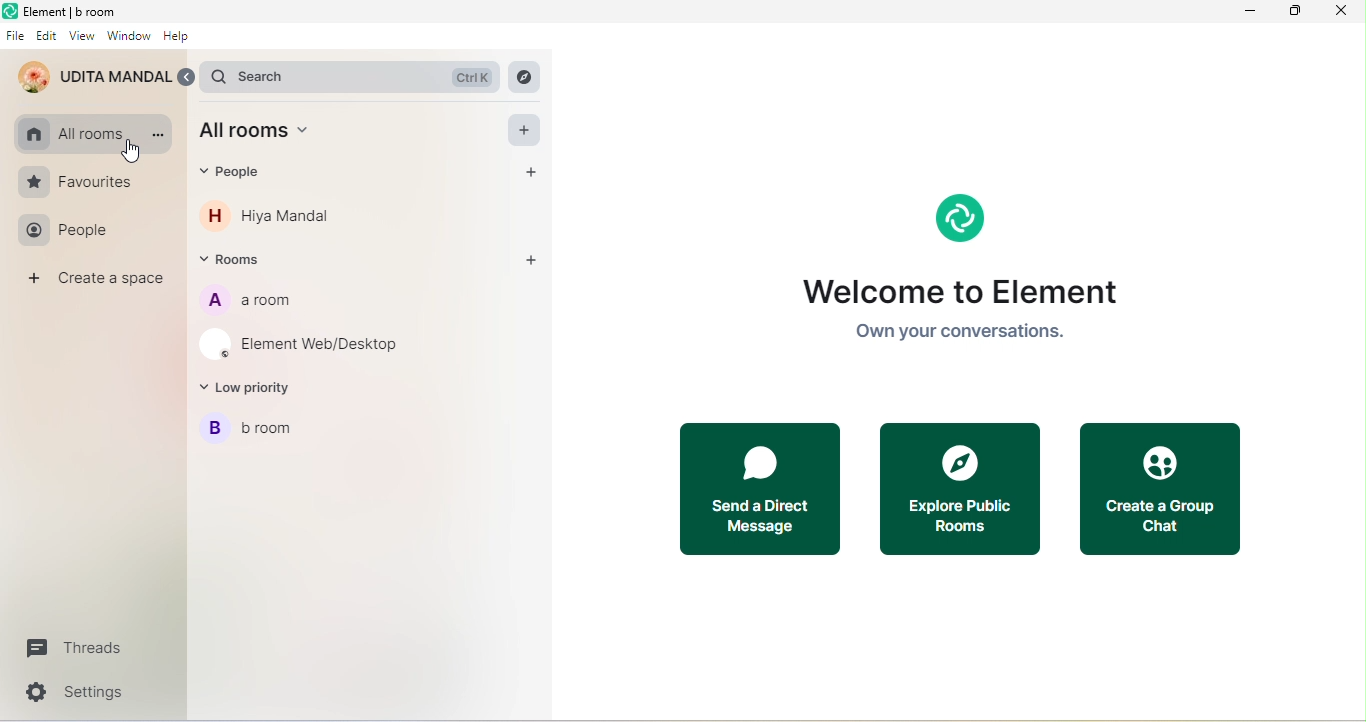 This screenshot has height=722, width=1366. I want to click on settings, so click(80, 692).